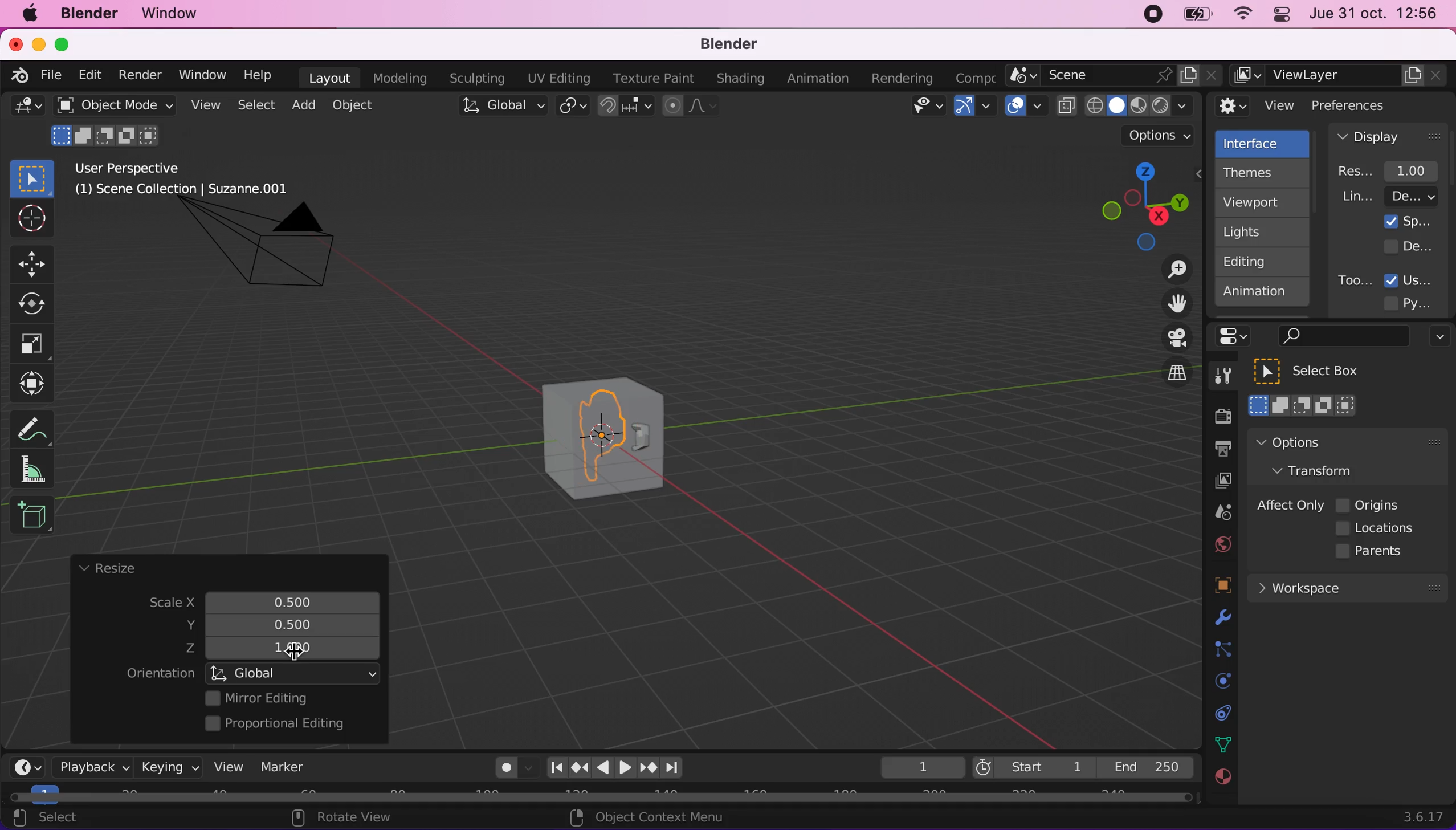 Image resolution: width=1456 pixels, height=830 pixels. What do you see at coordinates (1221, 650) in the screenshot?
I see `constraints` at bounding box center [1221, 650].